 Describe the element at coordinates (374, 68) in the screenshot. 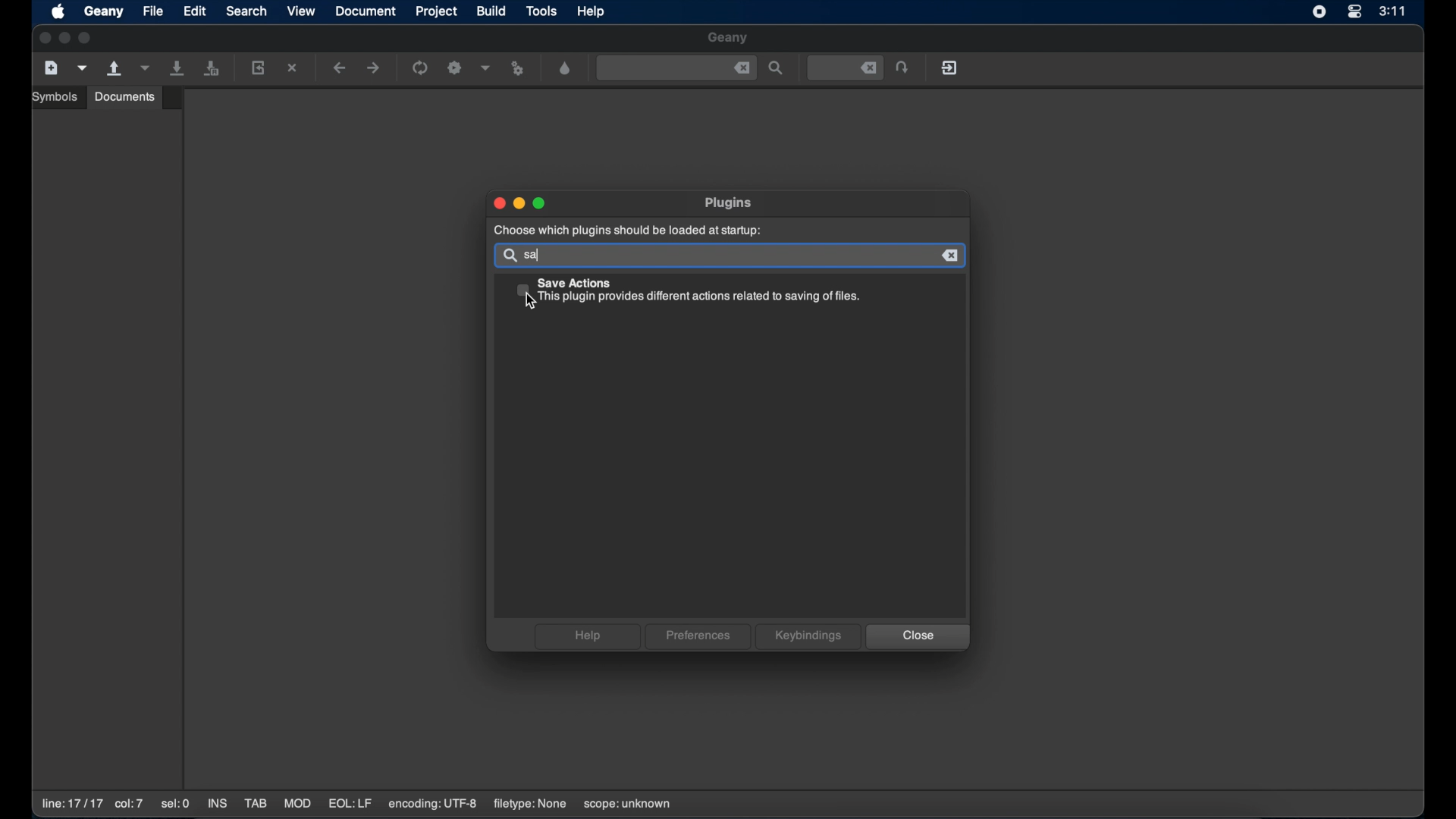

I see `navigate forward a location` at that location.